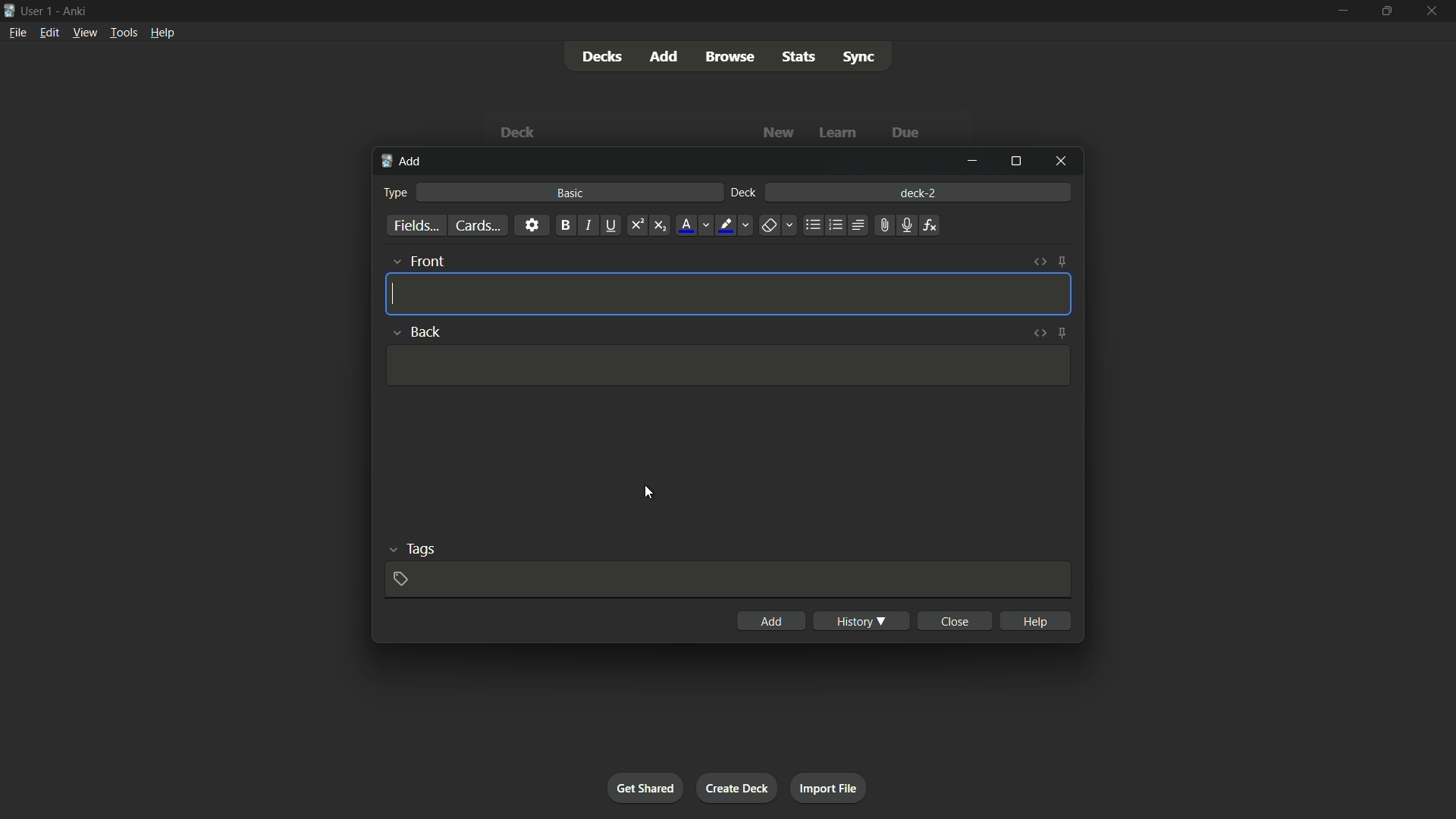  What do you see at coordinates (662, 56) in the screenshot?
I see `add` at bounding box center [662, 56].